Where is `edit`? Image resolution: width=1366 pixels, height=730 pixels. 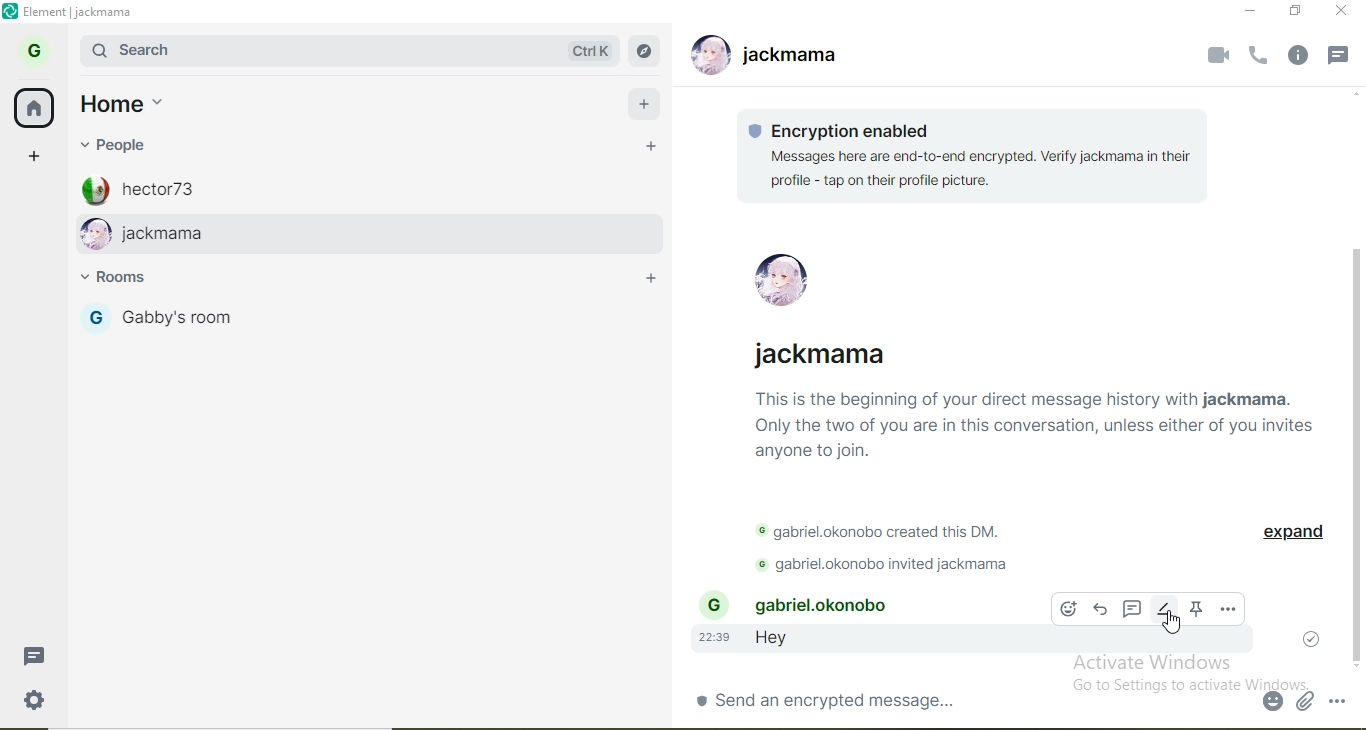
edit is located at coordinates (1163, 609).